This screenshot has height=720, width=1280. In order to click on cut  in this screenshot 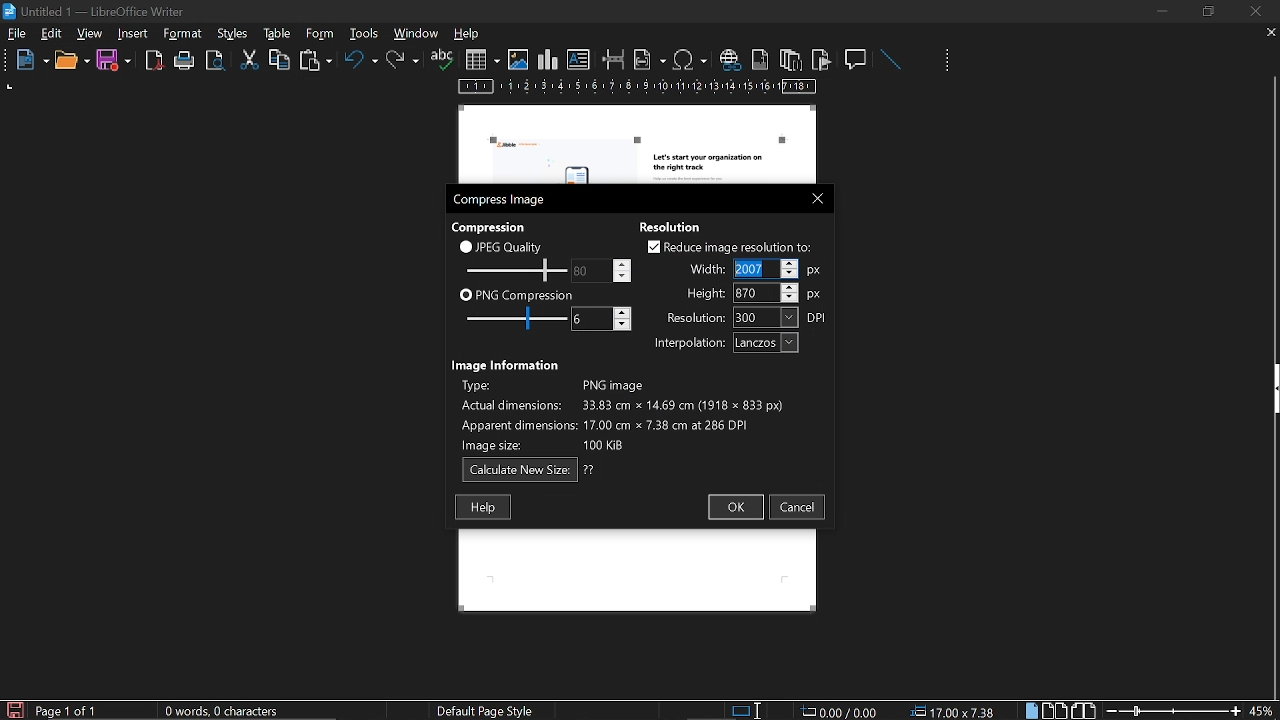, I will do `click(250, 60)`.